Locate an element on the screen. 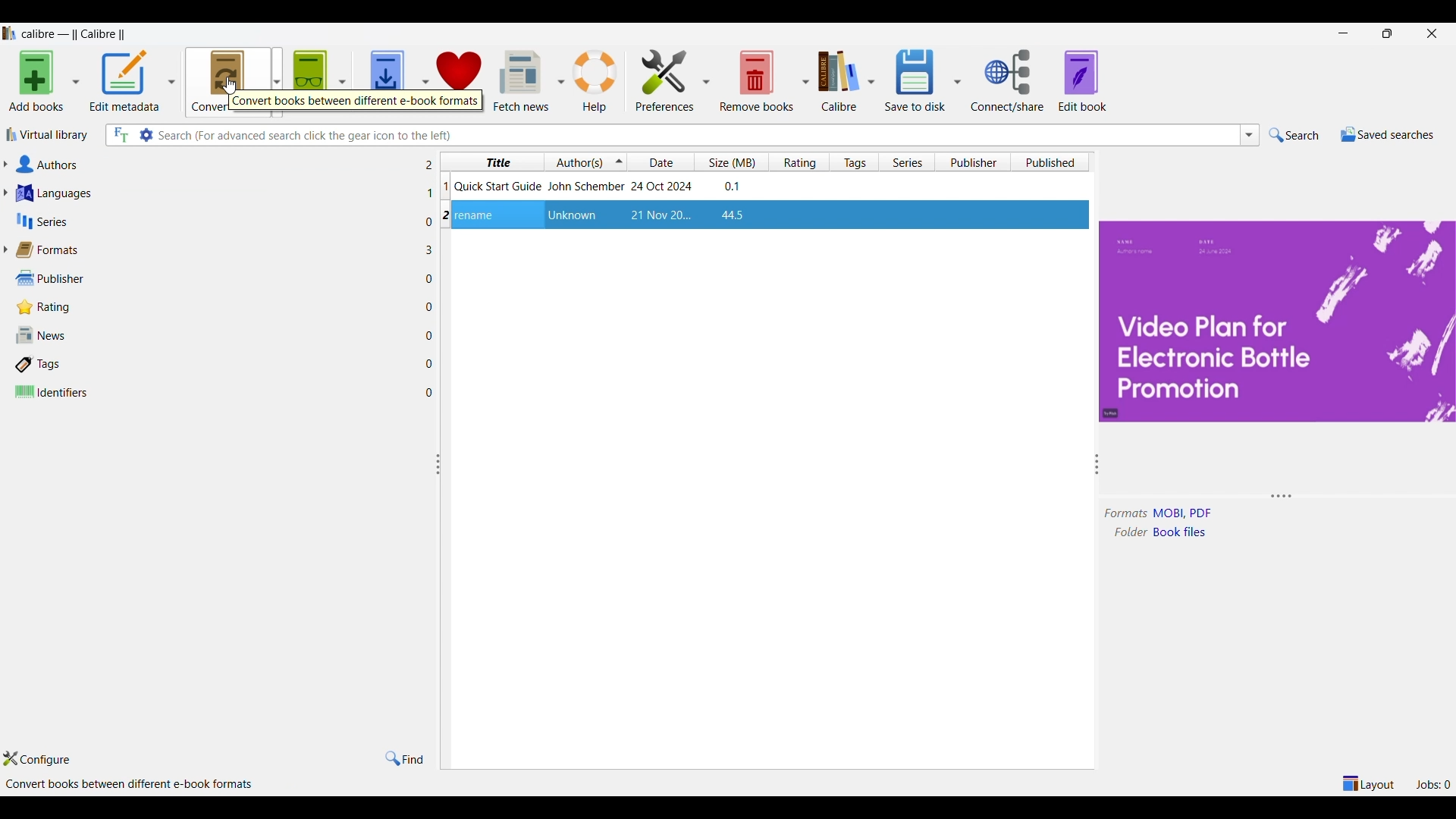 The width and height of the screenshot is (1456, 819). Size column is located at coordinates (731, 162).